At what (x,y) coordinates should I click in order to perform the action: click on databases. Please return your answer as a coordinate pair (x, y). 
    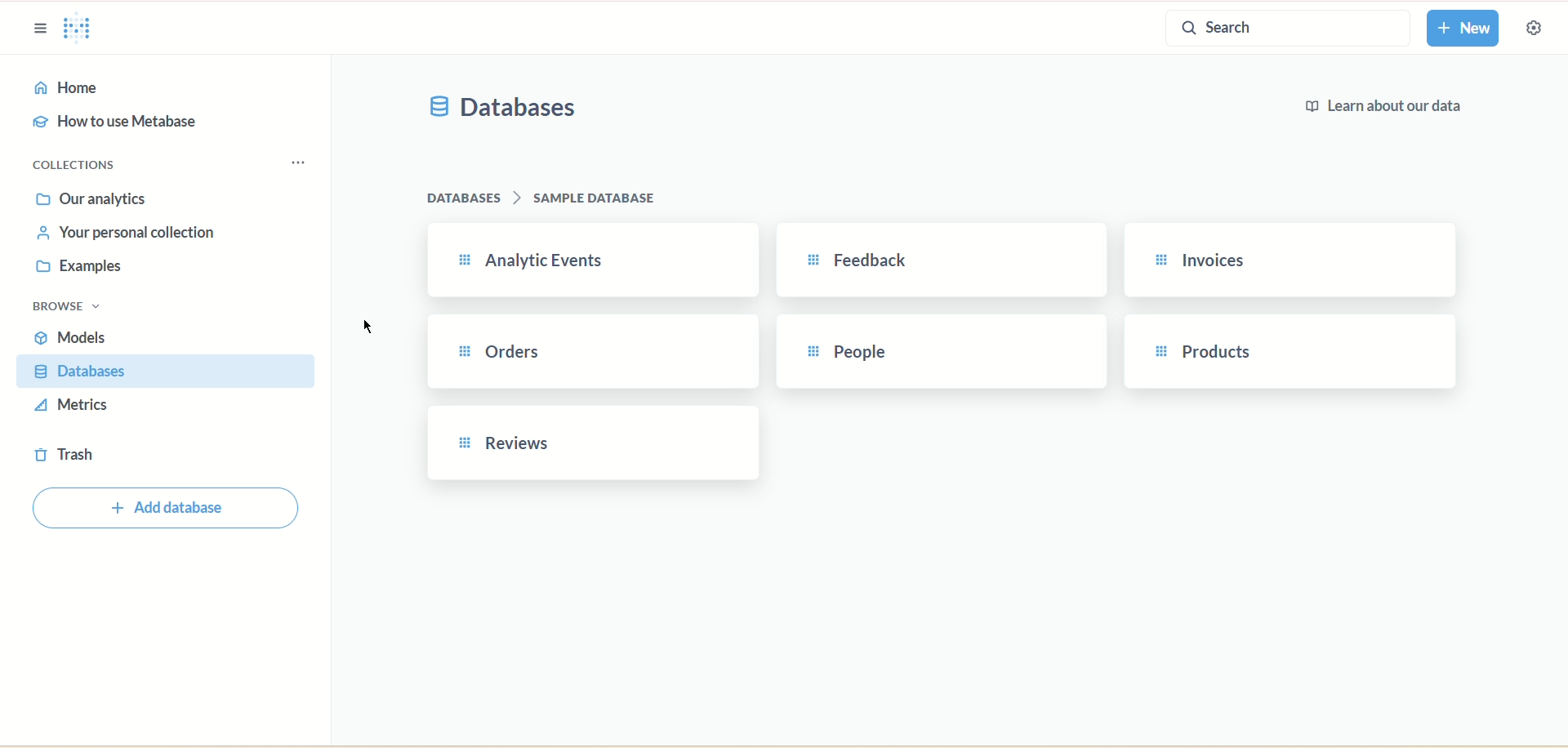
    Looking at the image, I should click on (506, 110).